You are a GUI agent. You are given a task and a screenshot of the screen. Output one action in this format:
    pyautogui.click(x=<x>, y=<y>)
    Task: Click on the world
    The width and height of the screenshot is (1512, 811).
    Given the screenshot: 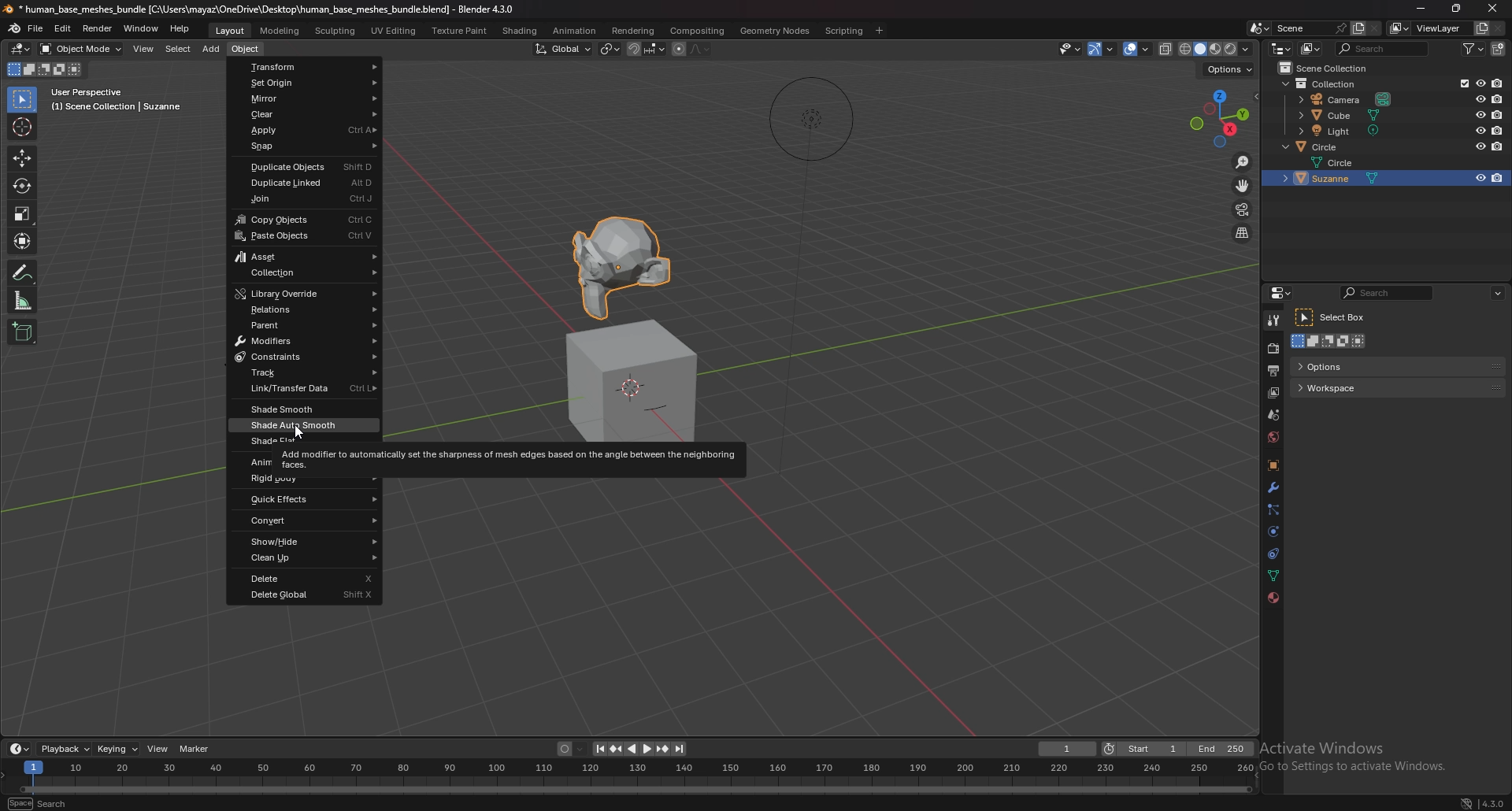 What is the action you would take?
    pyautogui.click(x=1273, y=438)
    